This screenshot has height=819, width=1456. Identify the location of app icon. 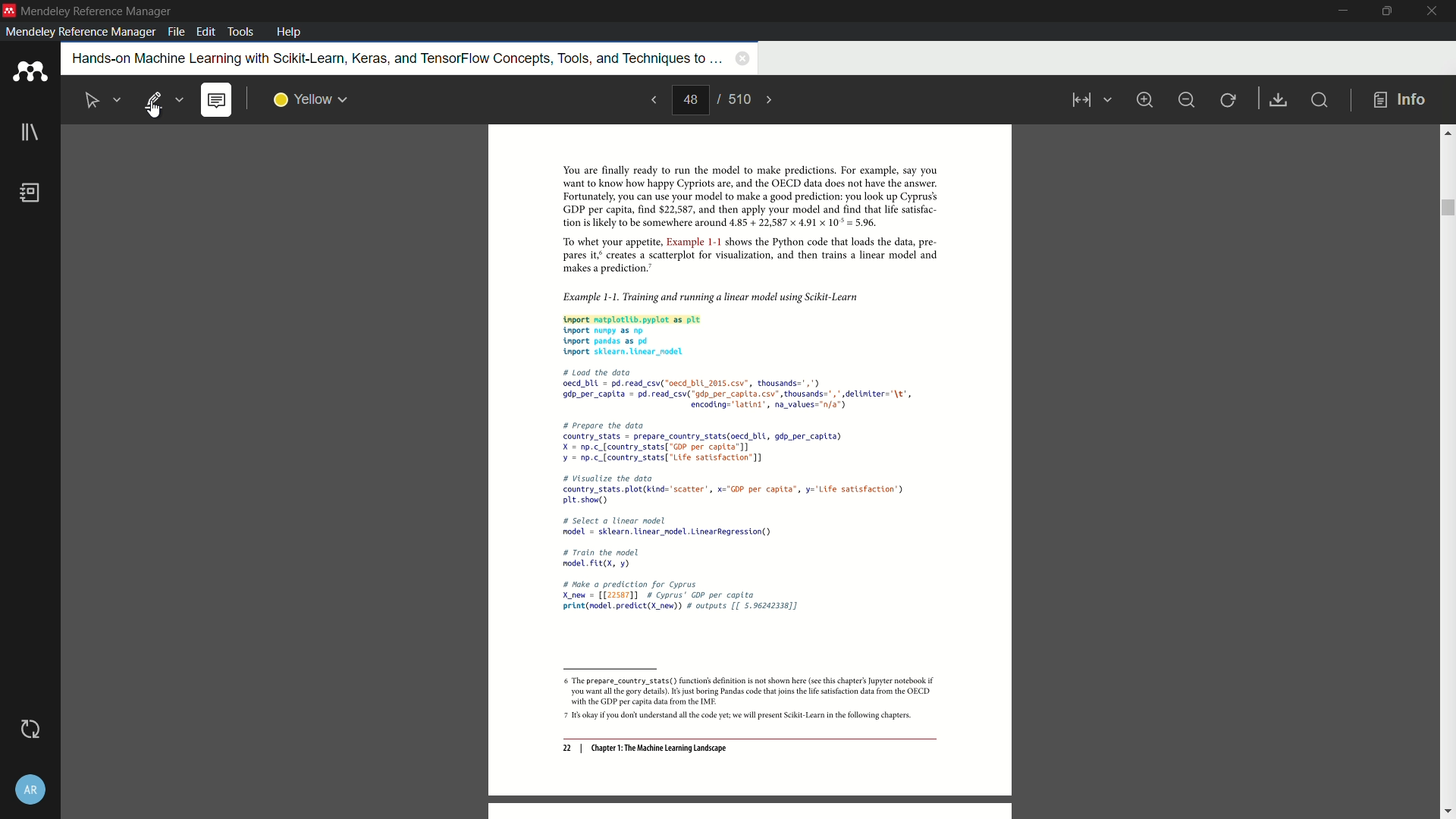
(30, 72).